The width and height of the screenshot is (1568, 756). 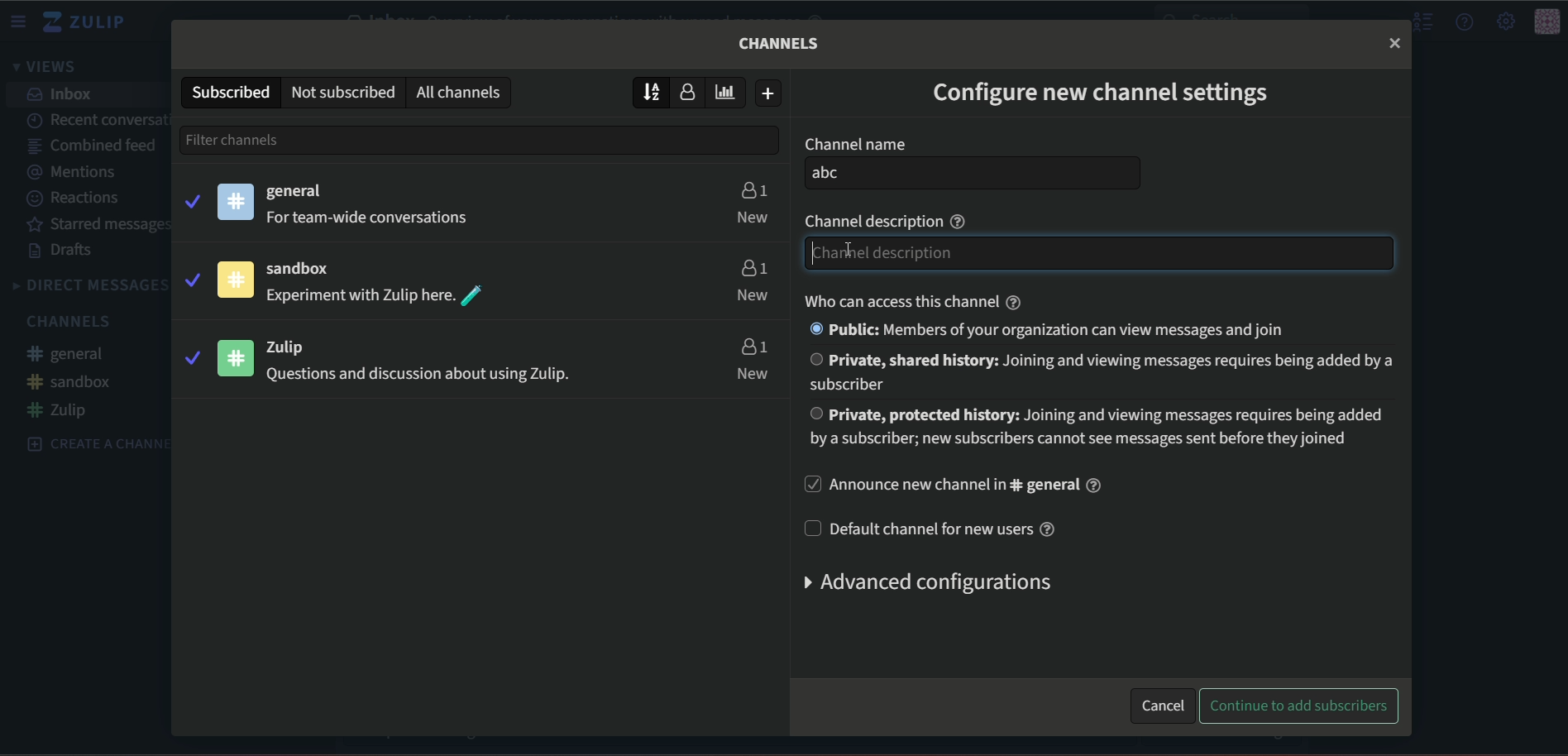 What do you see at coordinates (308, 270) in the screenshot?
I see `sandbox` at bounding box center [308, 270].